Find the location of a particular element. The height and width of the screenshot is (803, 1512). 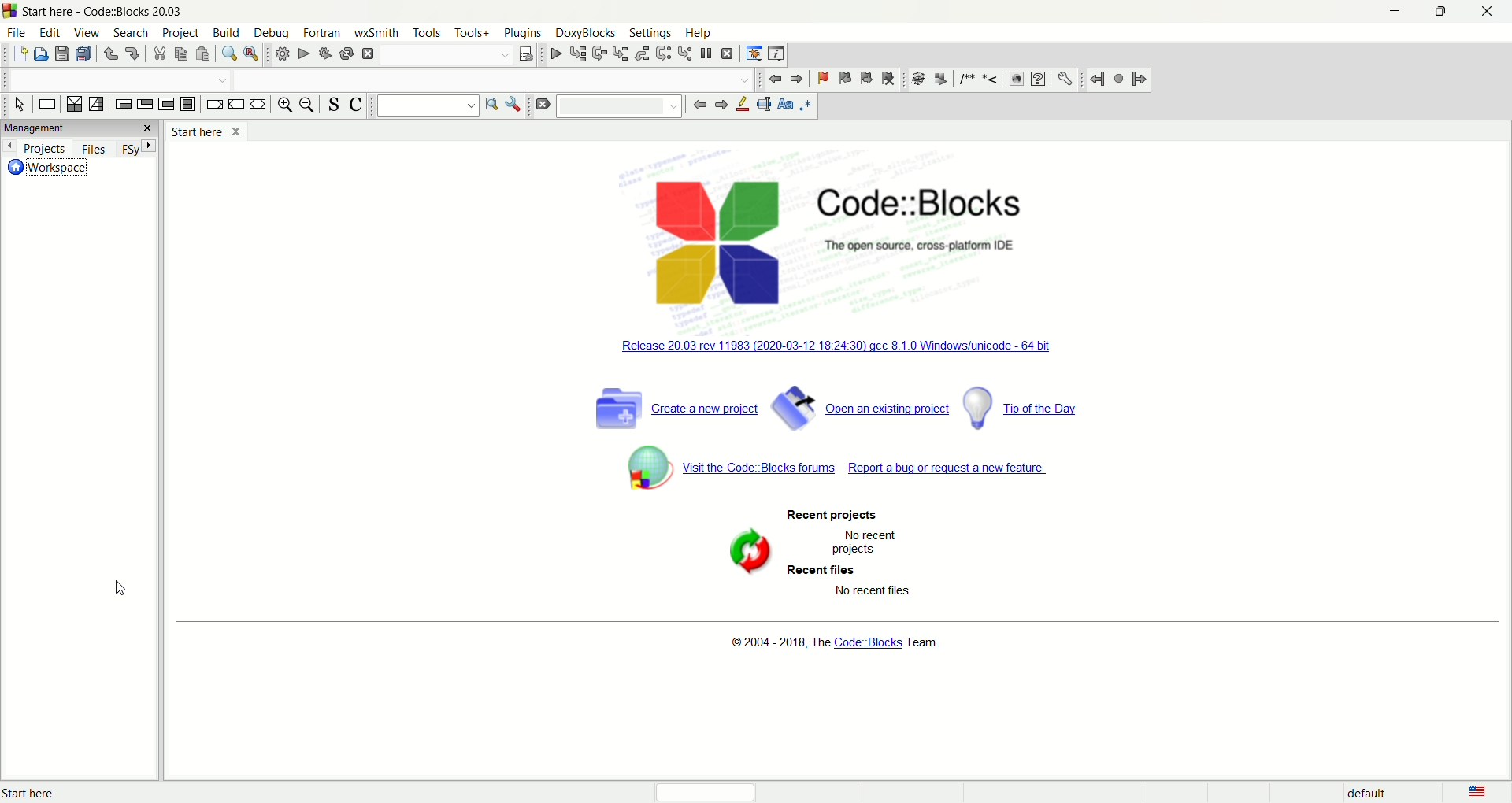

copy is located at coordinates (179, 53).